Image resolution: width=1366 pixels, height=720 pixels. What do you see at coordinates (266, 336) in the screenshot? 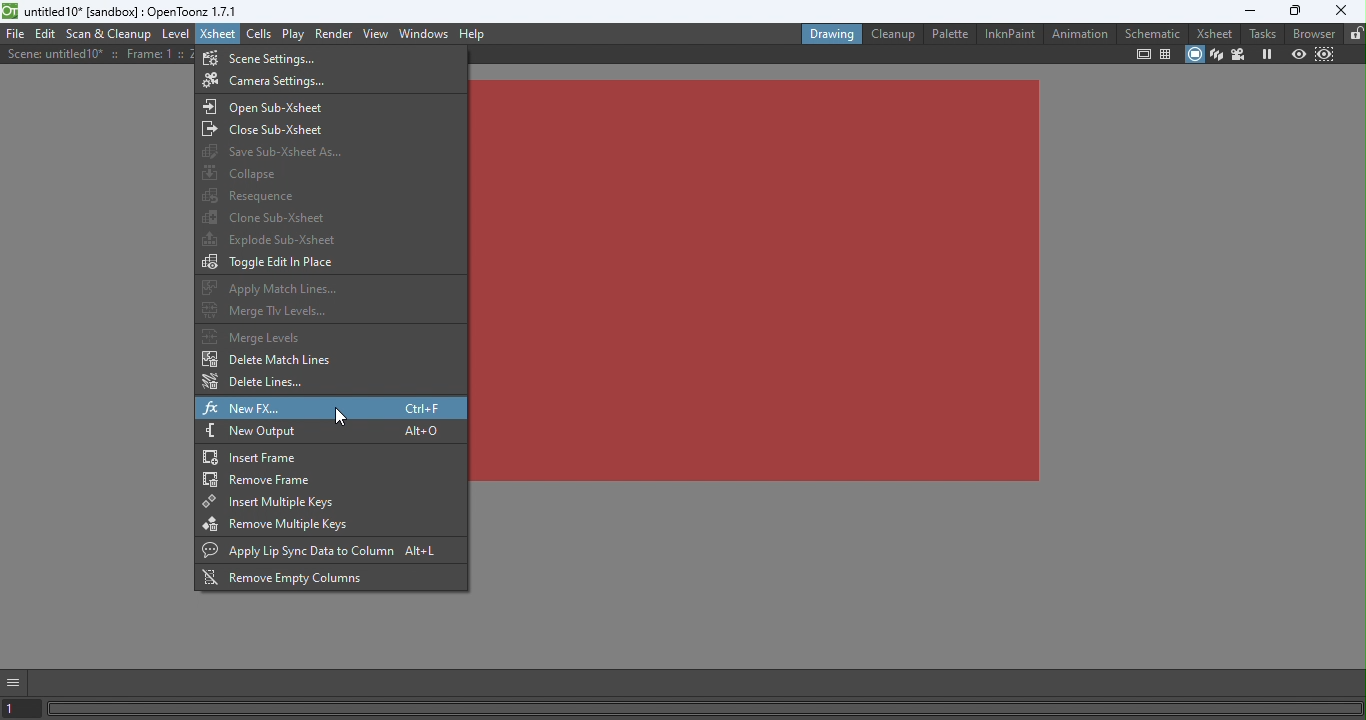
I see `Merge levels` at bounding box center [266, 336].